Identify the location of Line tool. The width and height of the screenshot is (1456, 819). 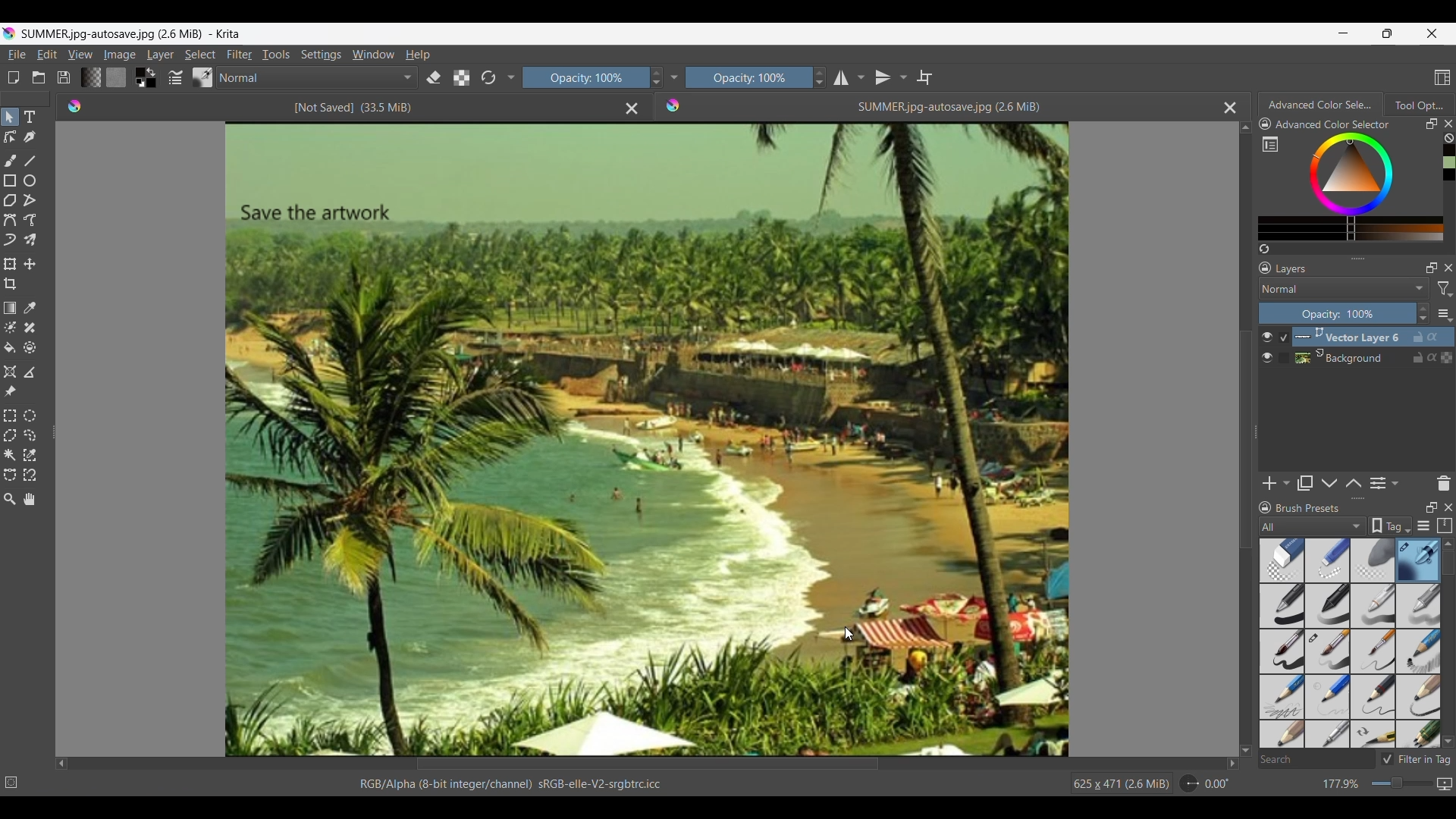
(30, 161).